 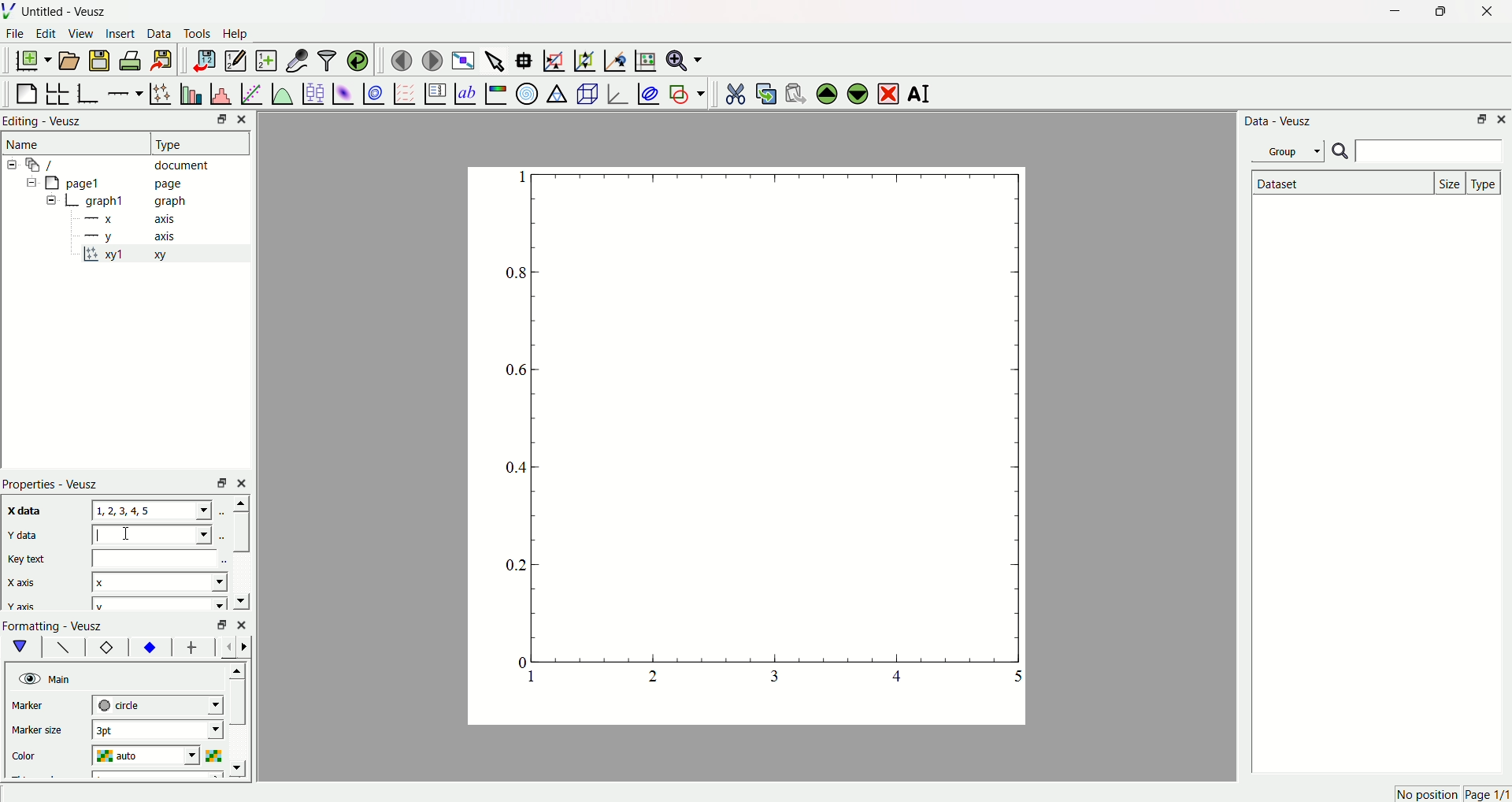 I want to click on capture remote datasets, so click(x=295, y=59).